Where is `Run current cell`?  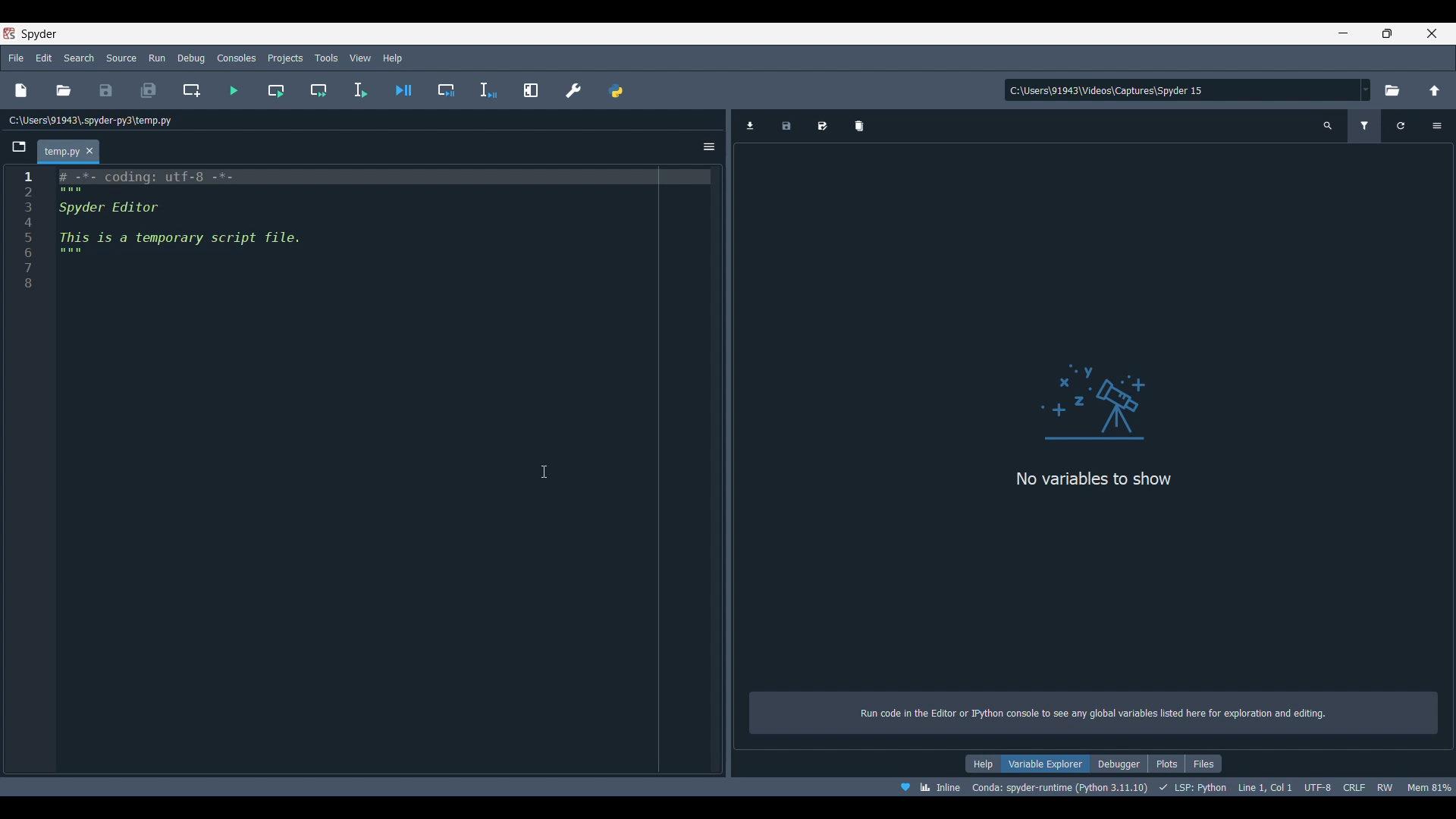
Run current cell is located at coordinates (276, 90).